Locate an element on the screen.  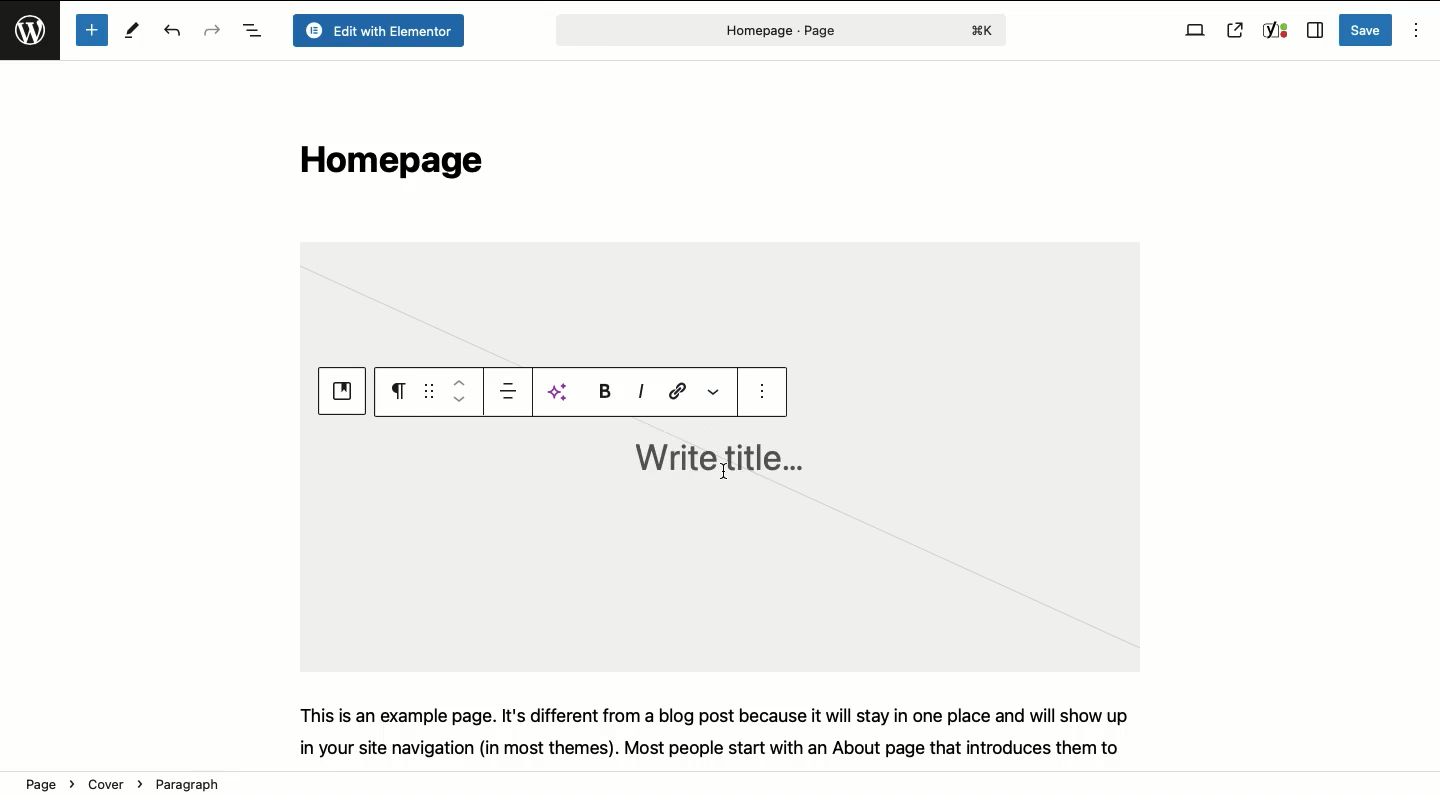
Yoast is located at coordinates (1274, 31).